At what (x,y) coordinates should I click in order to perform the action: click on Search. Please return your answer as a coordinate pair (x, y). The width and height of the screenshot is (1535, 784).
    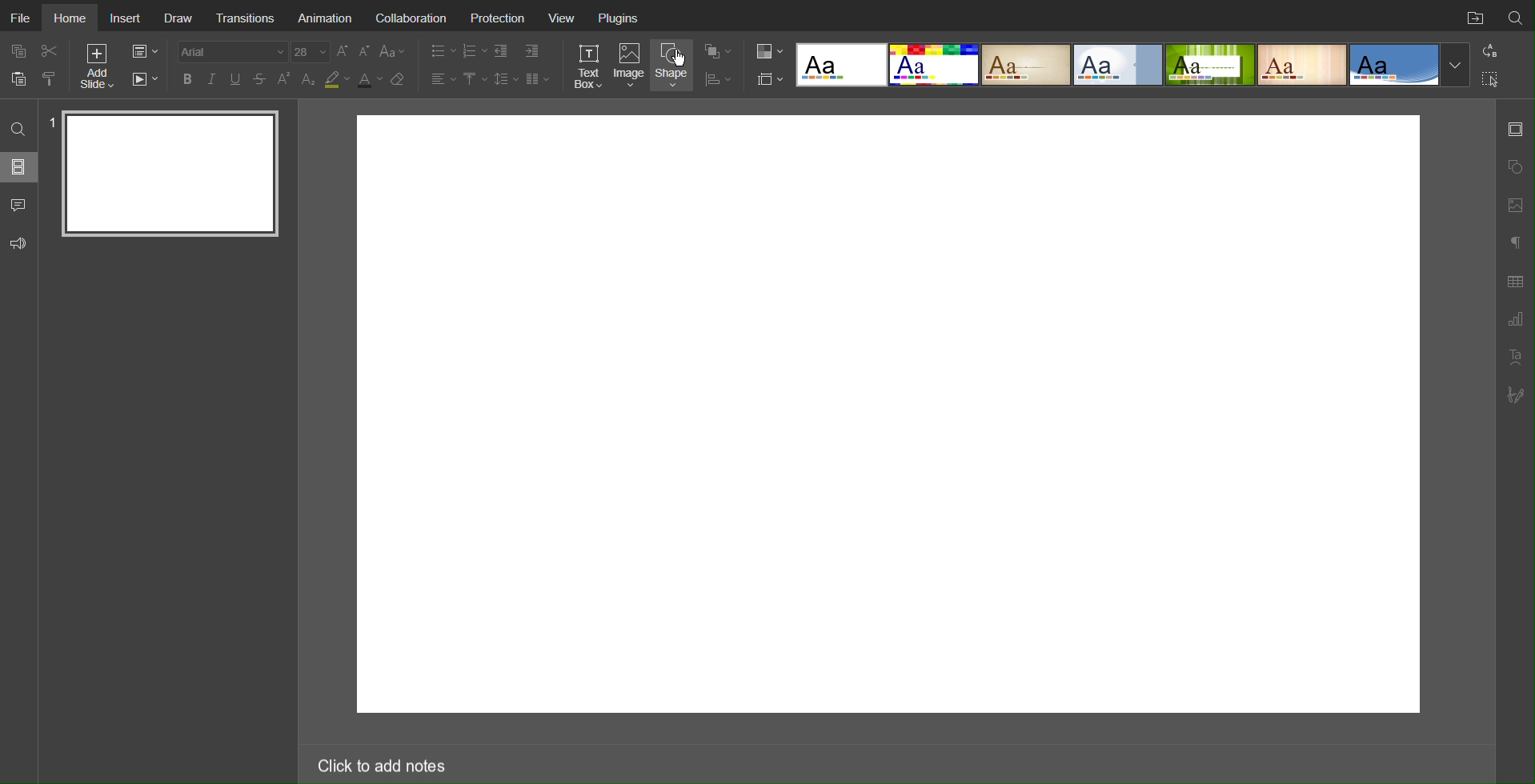
    Looking at the image, I should click on (20, 128).